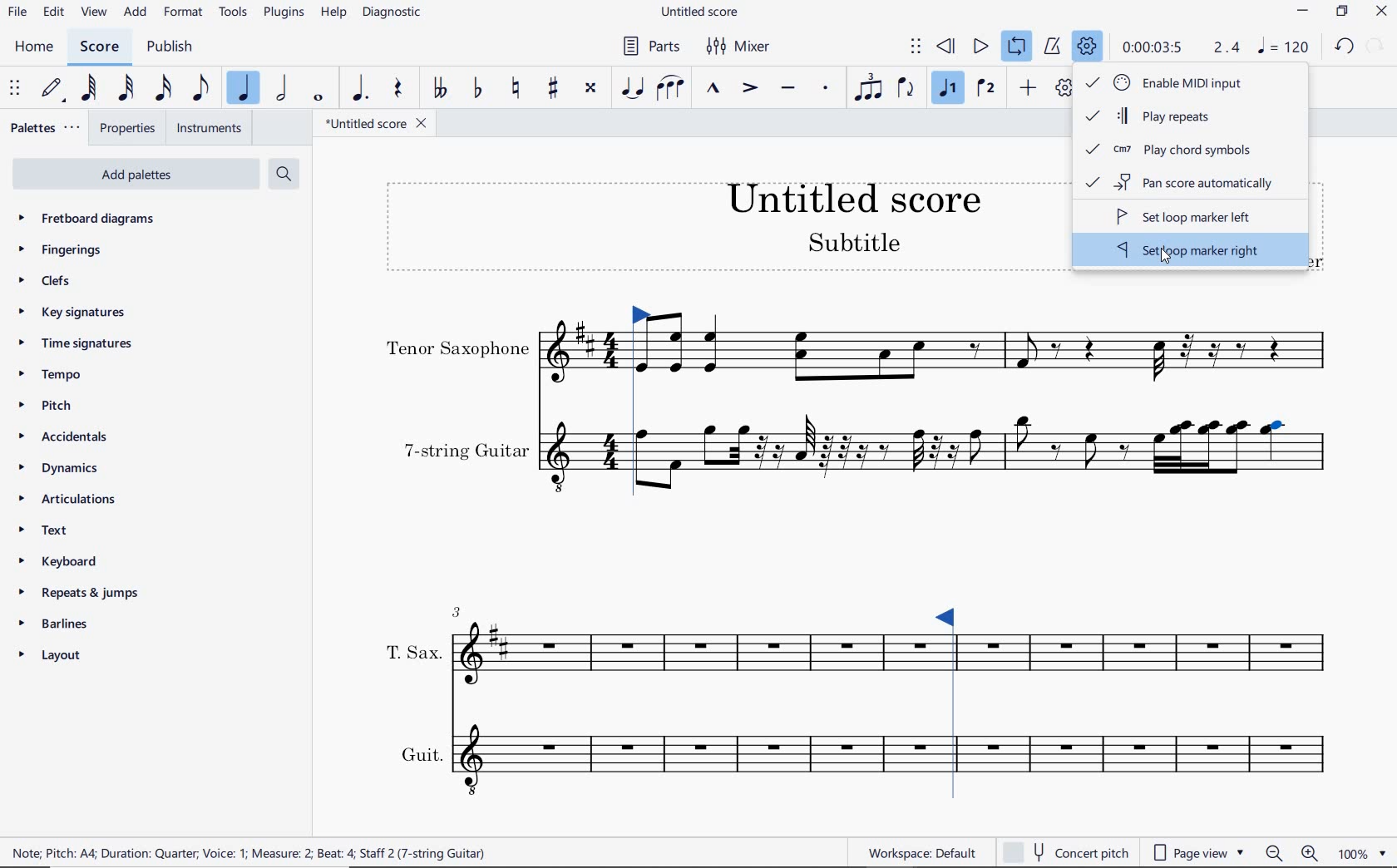 The width and height of the screenshot is (1397, 868). I want to click on pan score automatically, so click(1188, 184).